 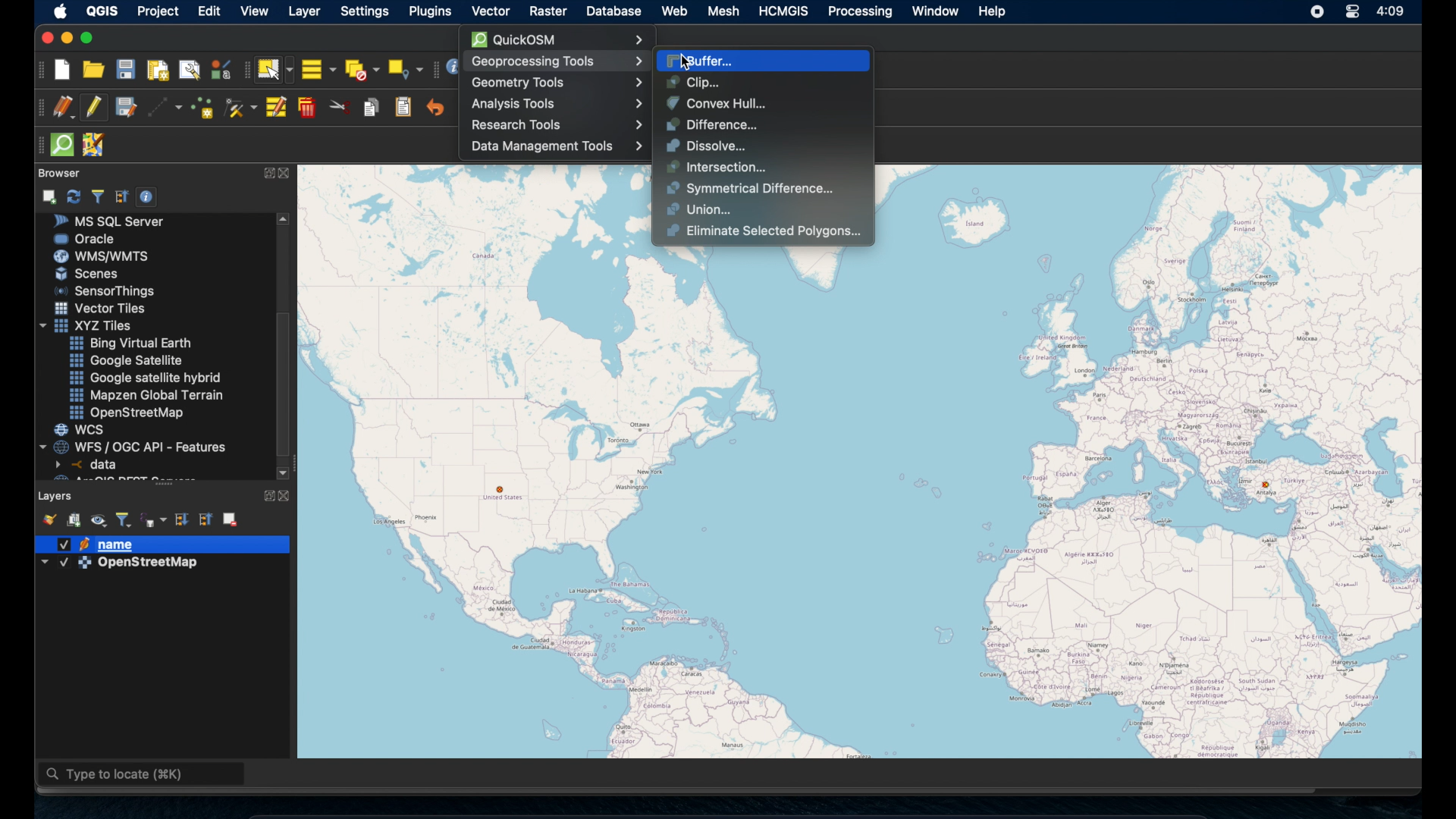 What do you see at coordinates (555, 61) in the screenshot?
I see `Geoprocessing Tools` at bounding box center [555, 61].